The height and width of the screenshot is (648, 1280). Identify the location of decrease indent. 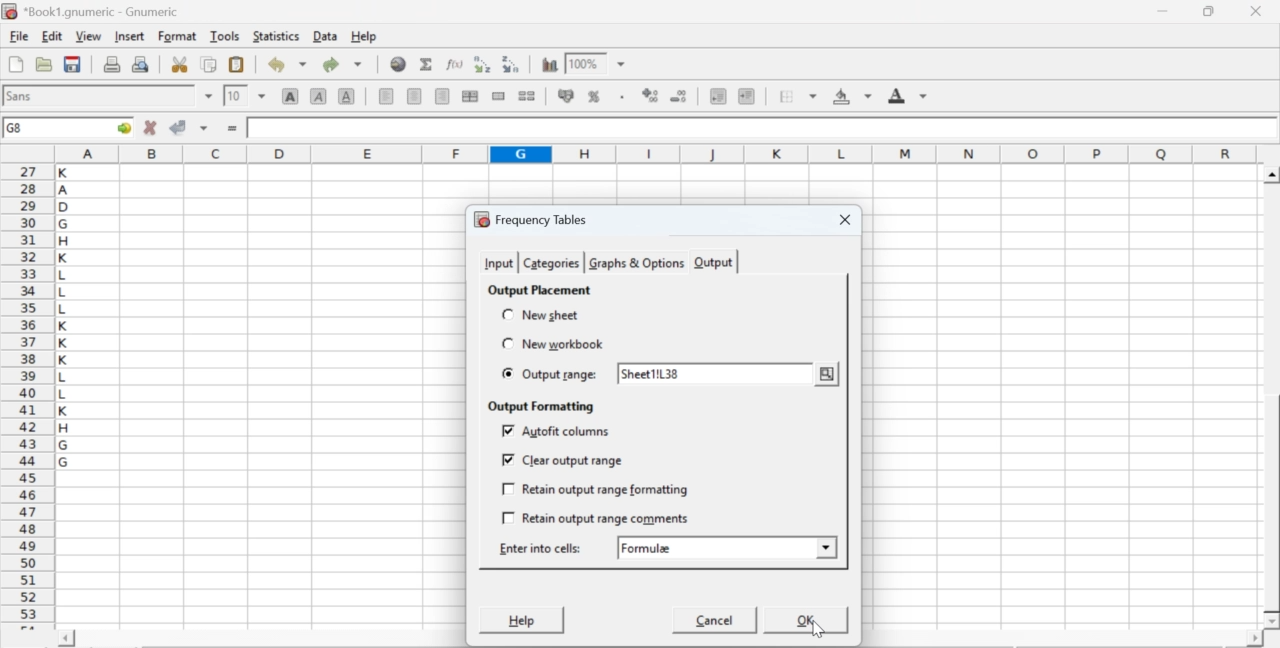
(718, 95).